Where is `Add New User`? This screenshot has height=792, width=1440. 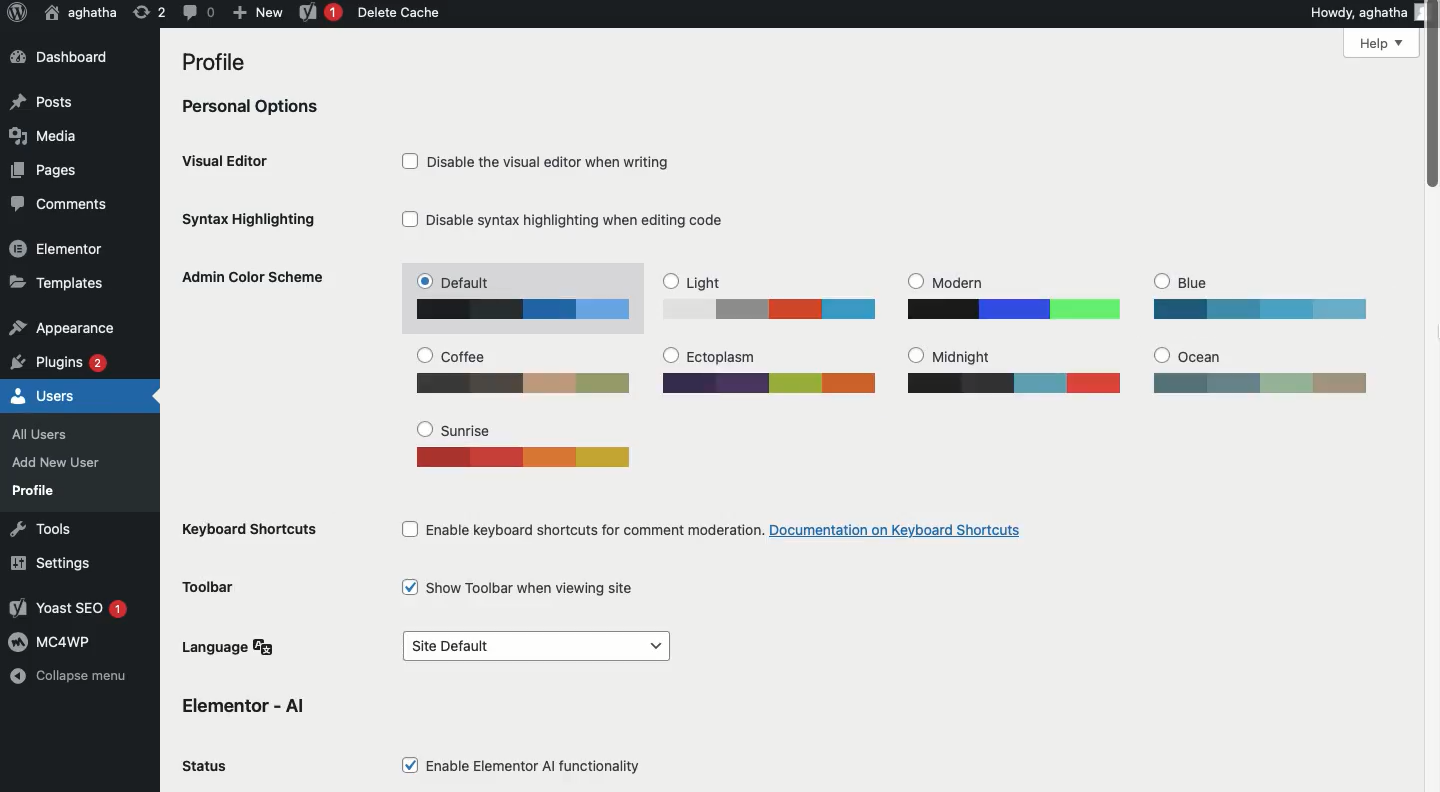 Add New User is located at coordinates (54, 462).